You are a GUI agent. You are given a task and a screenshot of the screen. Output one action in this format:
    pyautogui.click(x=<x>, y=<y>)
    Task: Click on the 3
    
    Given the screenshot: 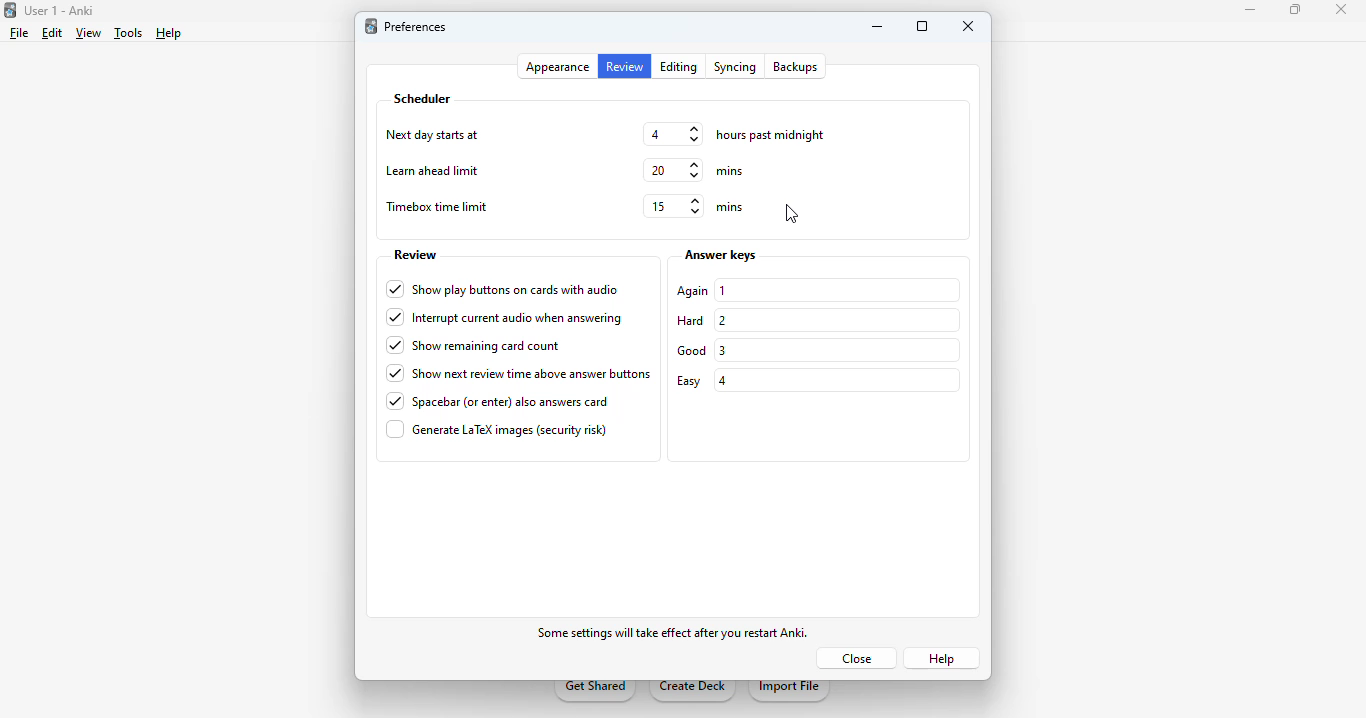 What is the action you would take?
    pyautogui.click(x=724, y=351)
    